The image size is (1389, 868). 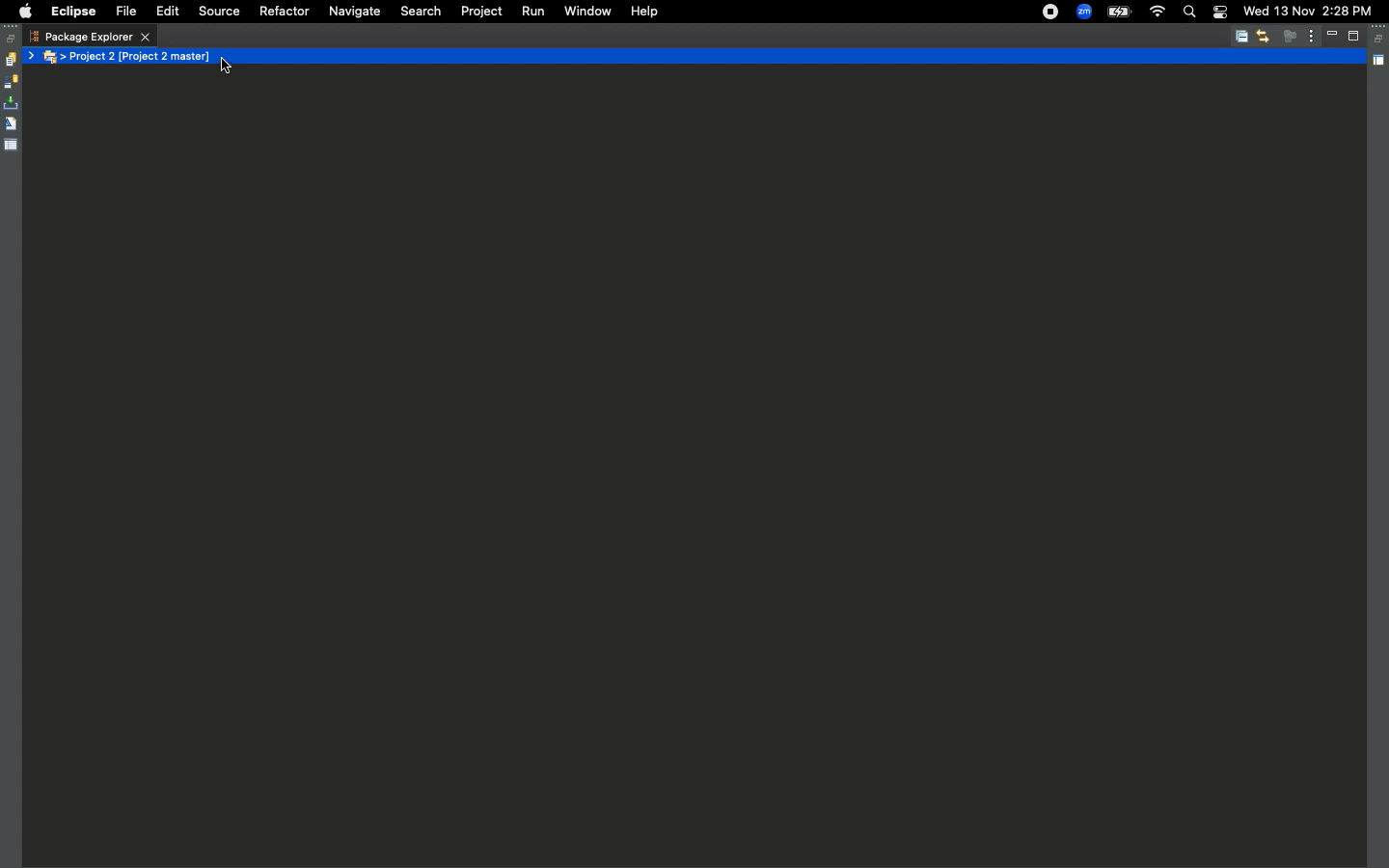 I want to click on Eclipse, so click(x=72, y=12).